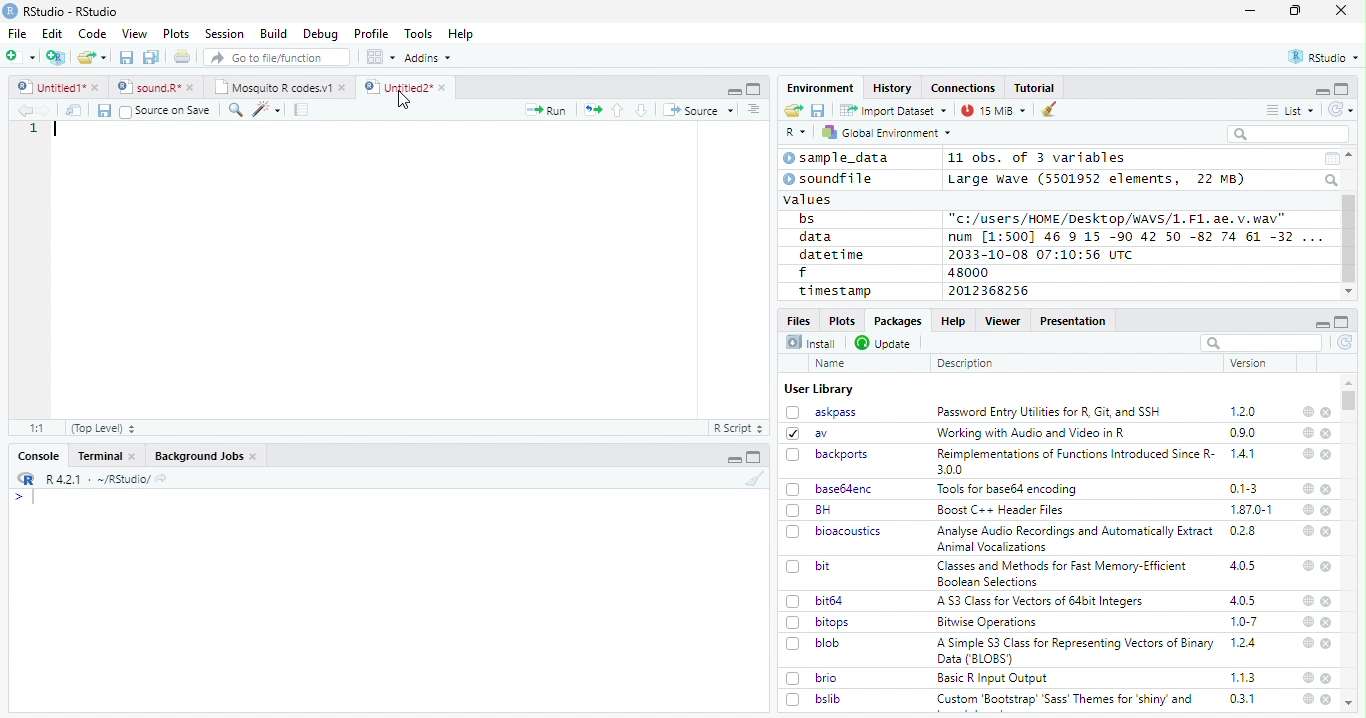 This screenshot has width=1366, height=718. I want to click on Scroll bar, so click(1350, 239).